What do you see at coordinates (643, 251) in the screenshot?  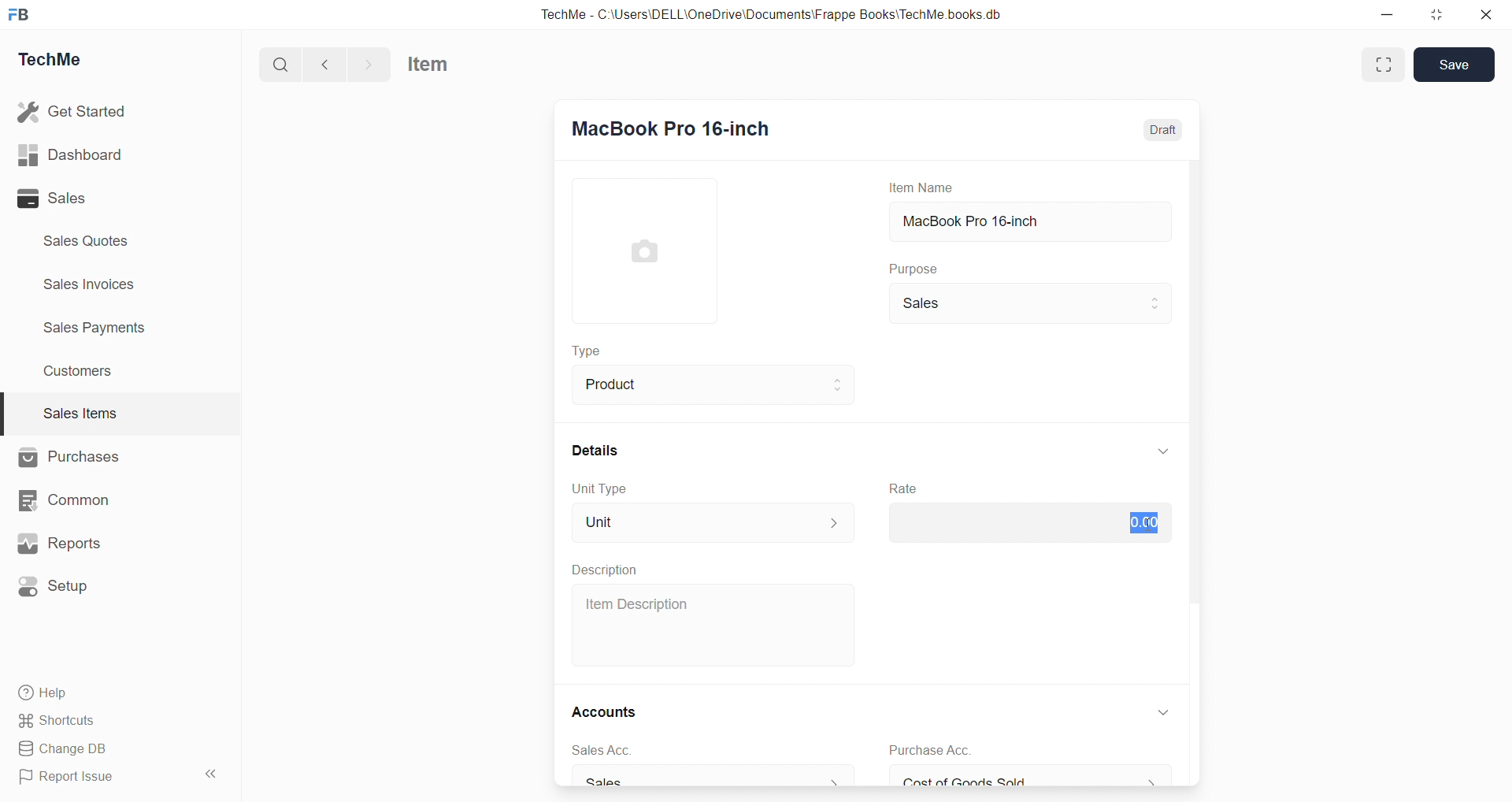 I see `image` at bounding box center [643, 251].